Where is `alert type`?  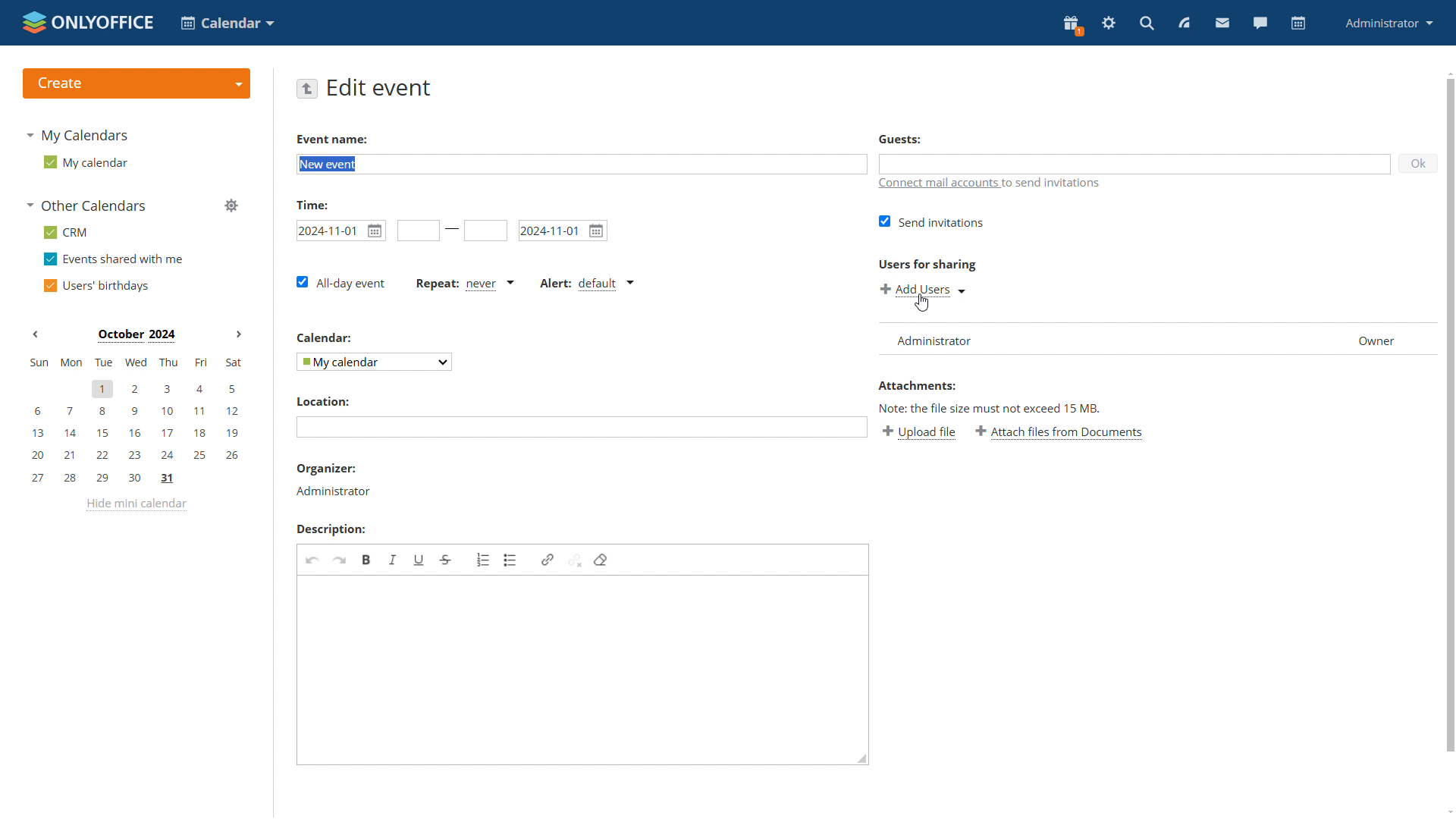 alert type is located at coordinates (587, 284).